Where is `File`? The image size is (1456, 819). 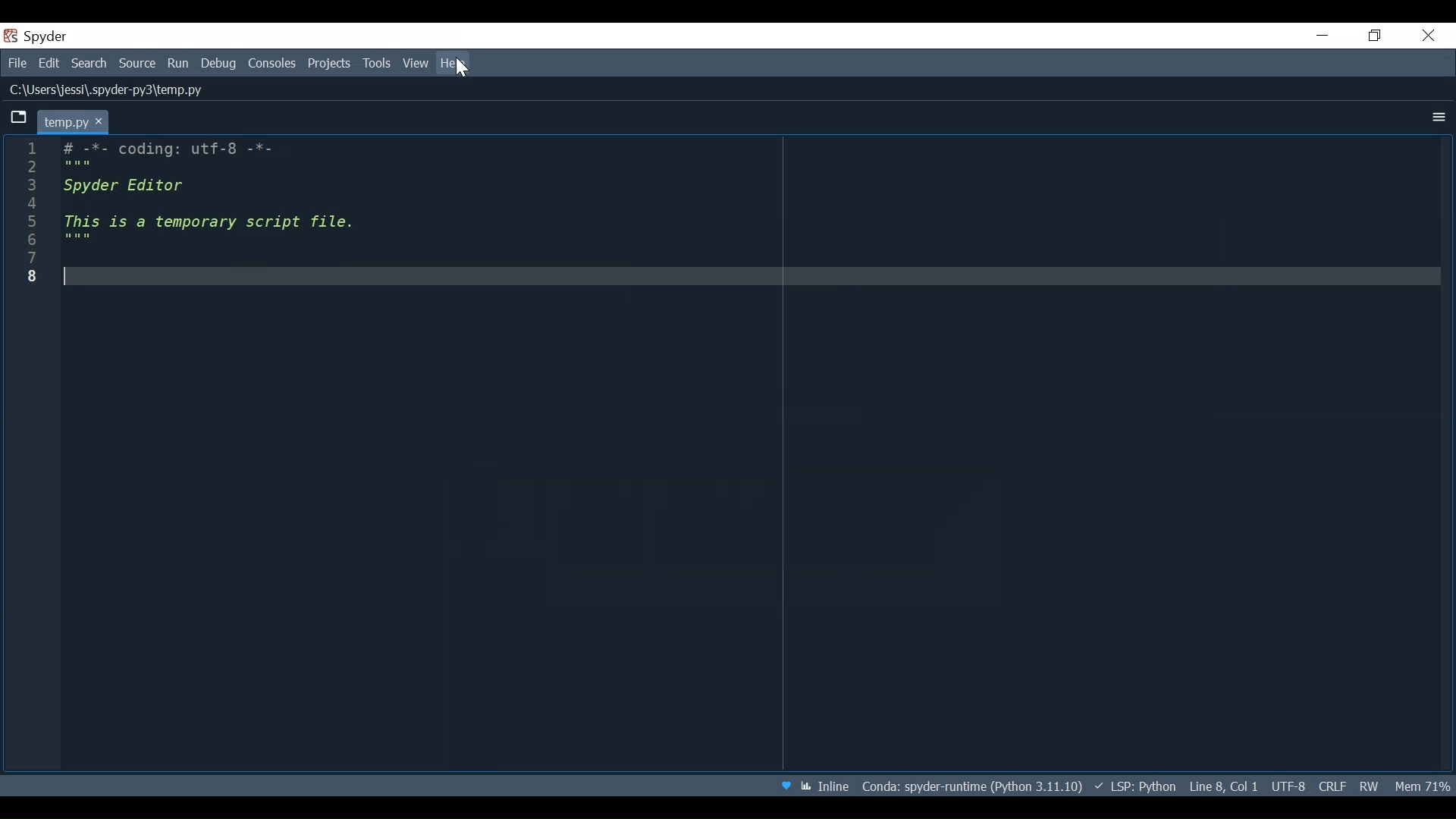
File is located at coordinates (17, 64).